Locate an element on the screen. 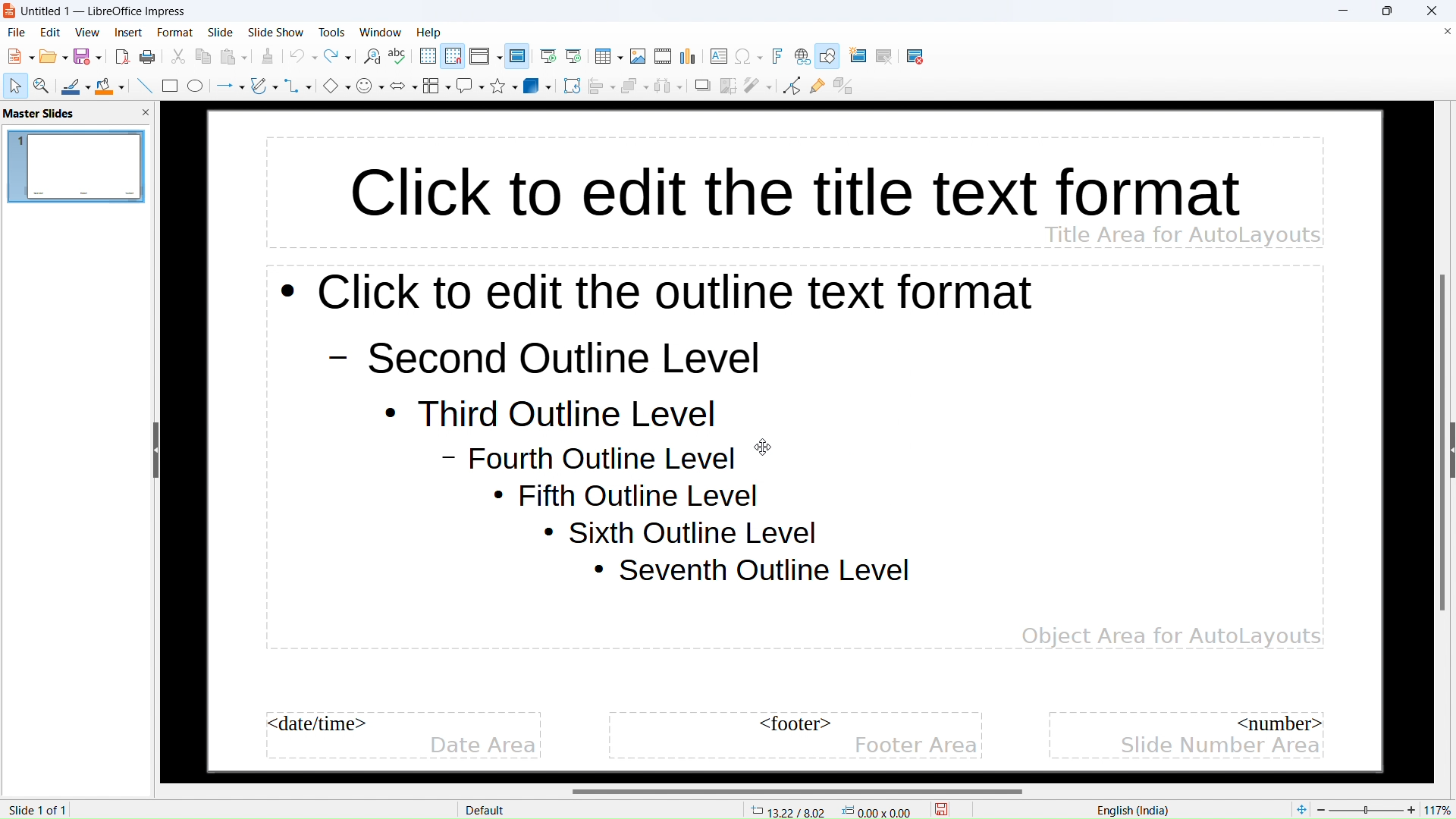 Image resolution: width=1456 pixels, height=819 pixels. zoom out is located at coordinates (1322, 809).